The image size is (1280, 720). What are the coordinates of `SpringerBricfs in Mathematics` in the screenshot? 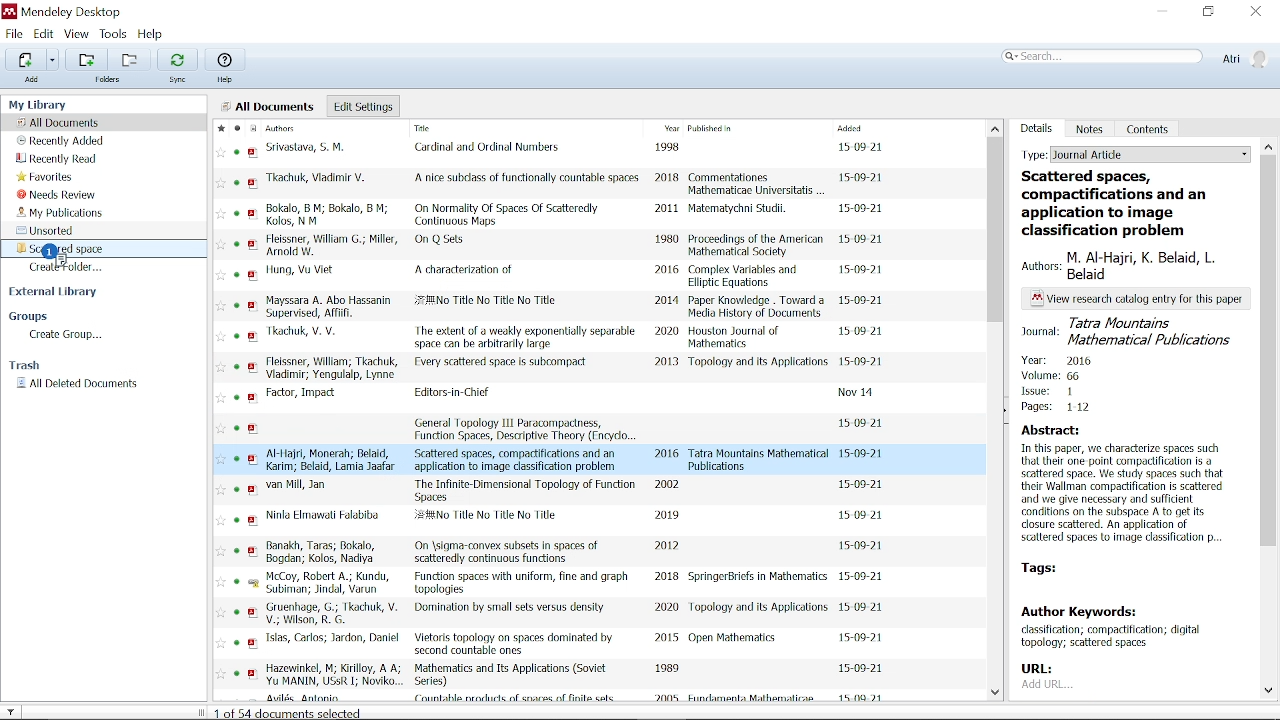 It's located at (758, 578).